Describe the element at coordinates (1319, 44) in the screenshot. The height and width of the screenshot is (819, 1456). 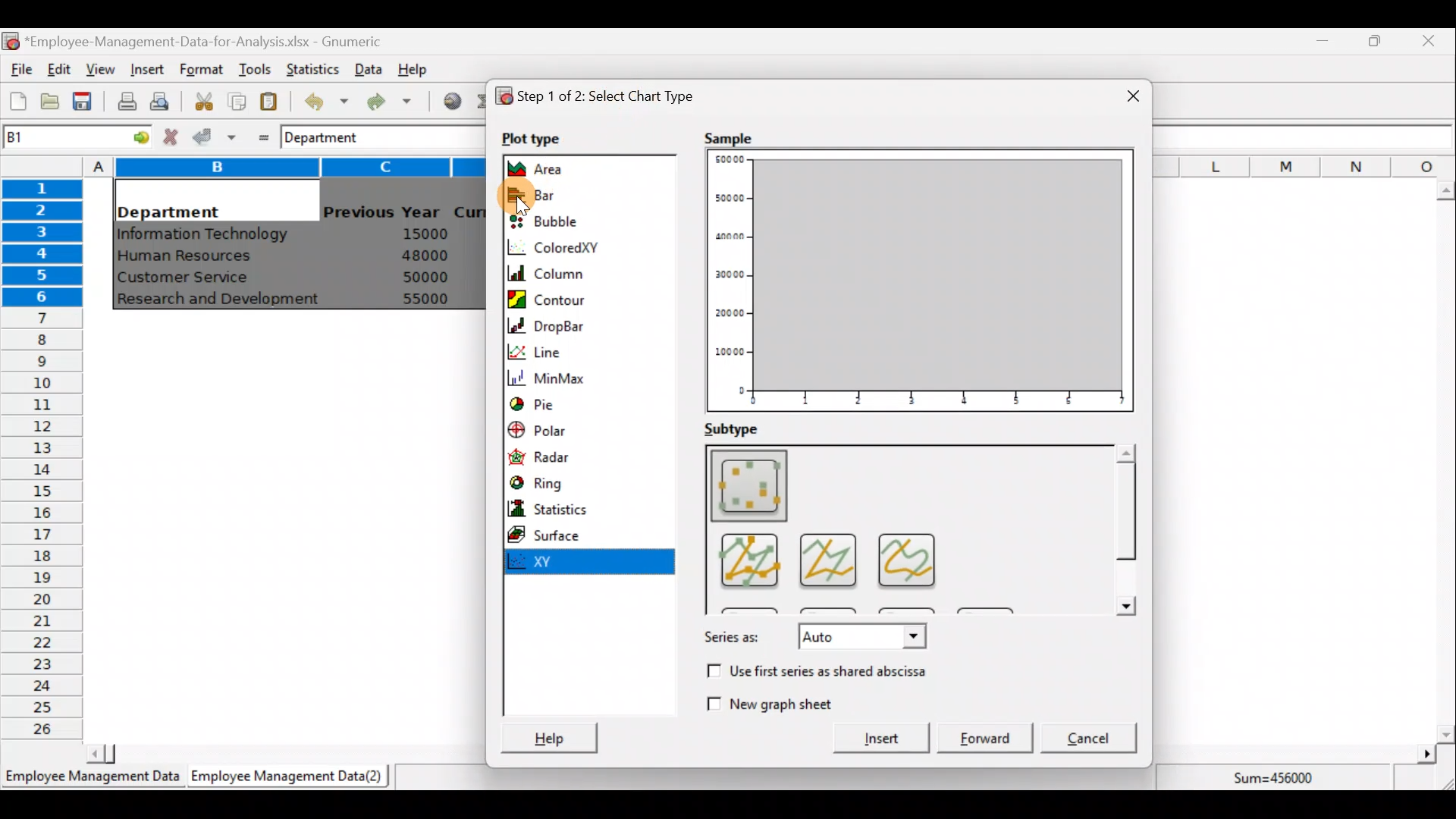
I see `Minimize` at that location.